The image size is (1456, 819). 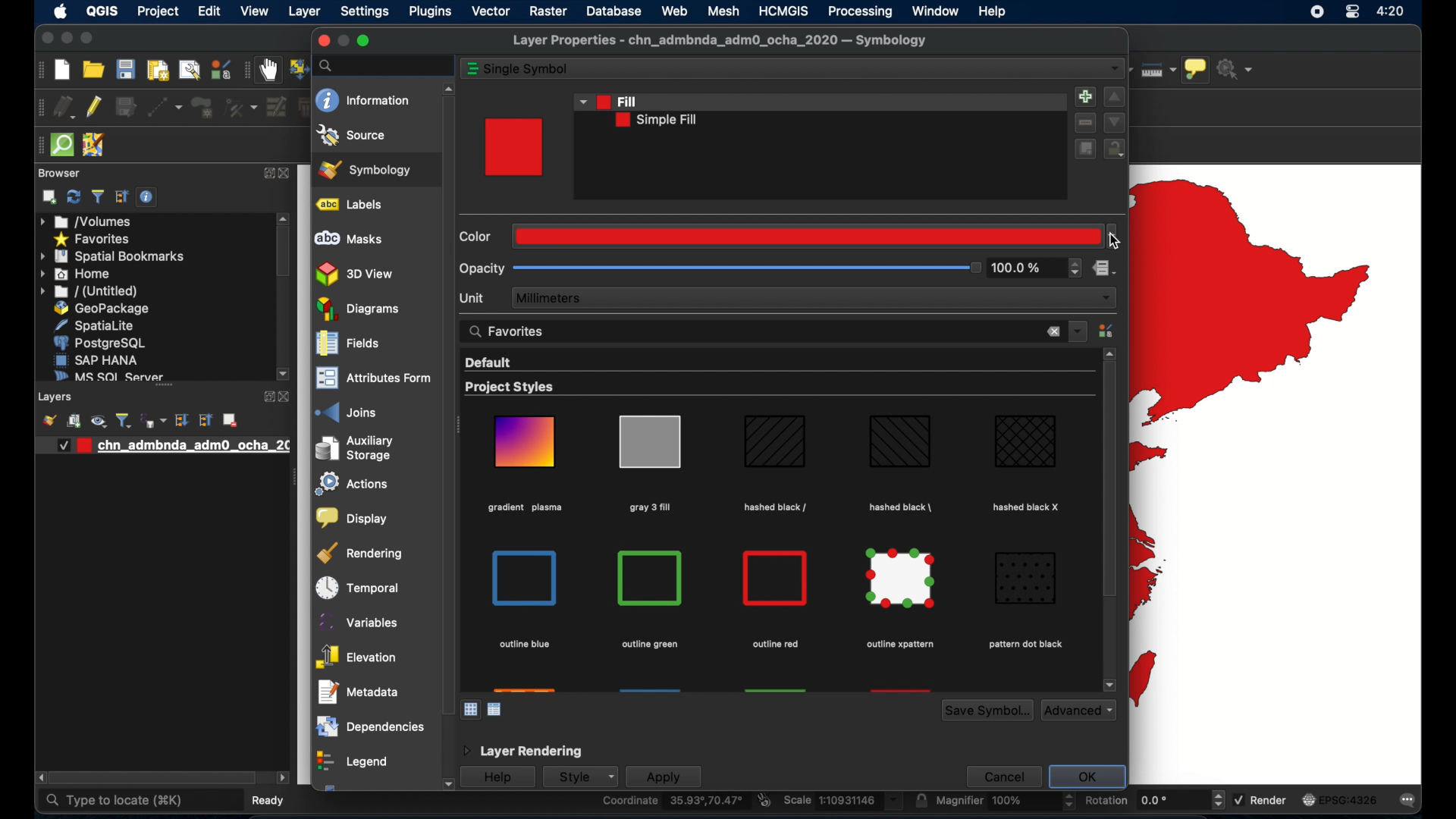 I want to click on save project, so click(x=124, y=69).